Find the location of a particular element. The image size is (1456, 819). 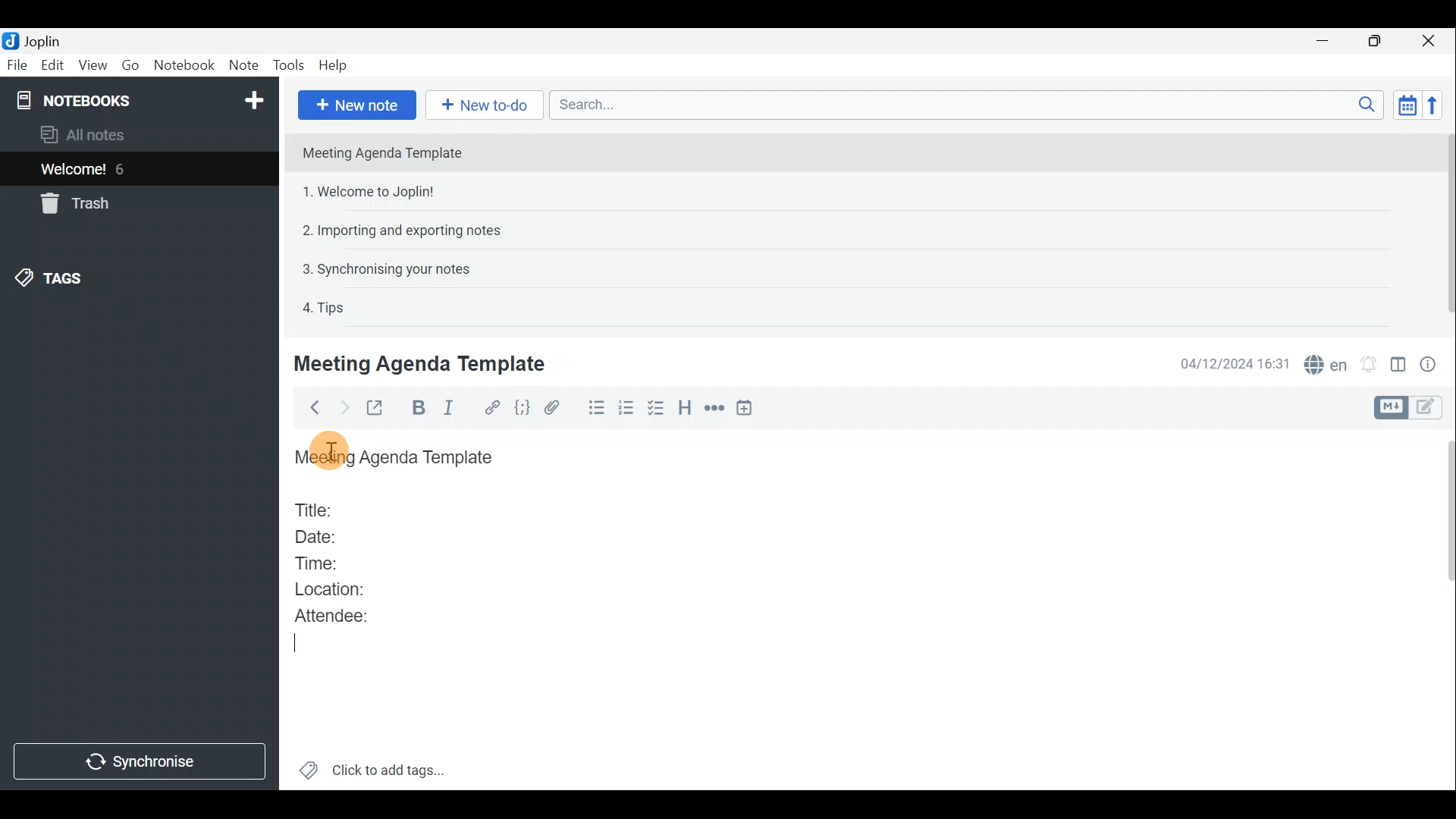

Meeting Agenda Template is located at coordinates (384, 152).